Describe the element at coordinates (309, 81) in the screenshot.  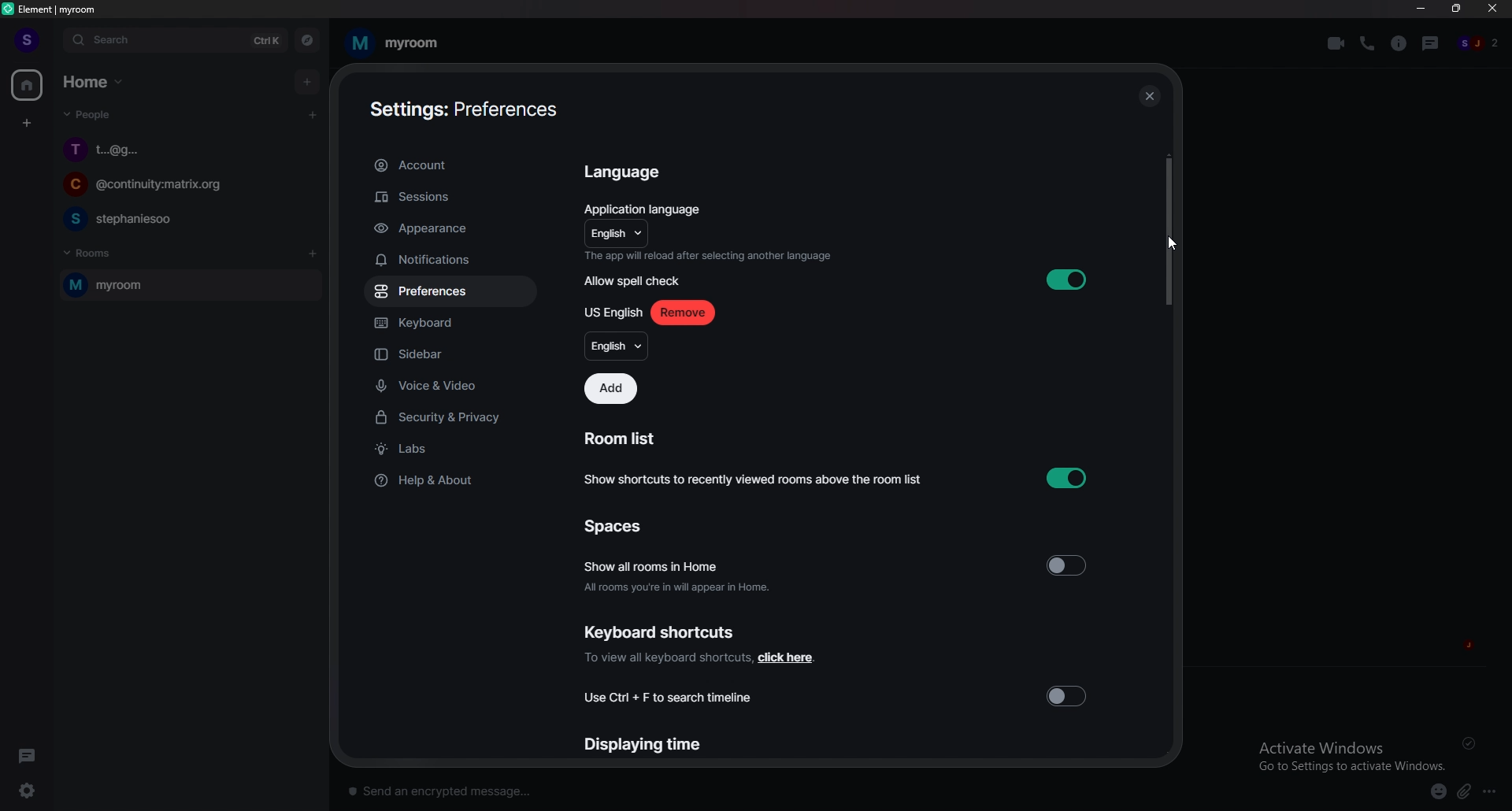
I see `add` at that location.